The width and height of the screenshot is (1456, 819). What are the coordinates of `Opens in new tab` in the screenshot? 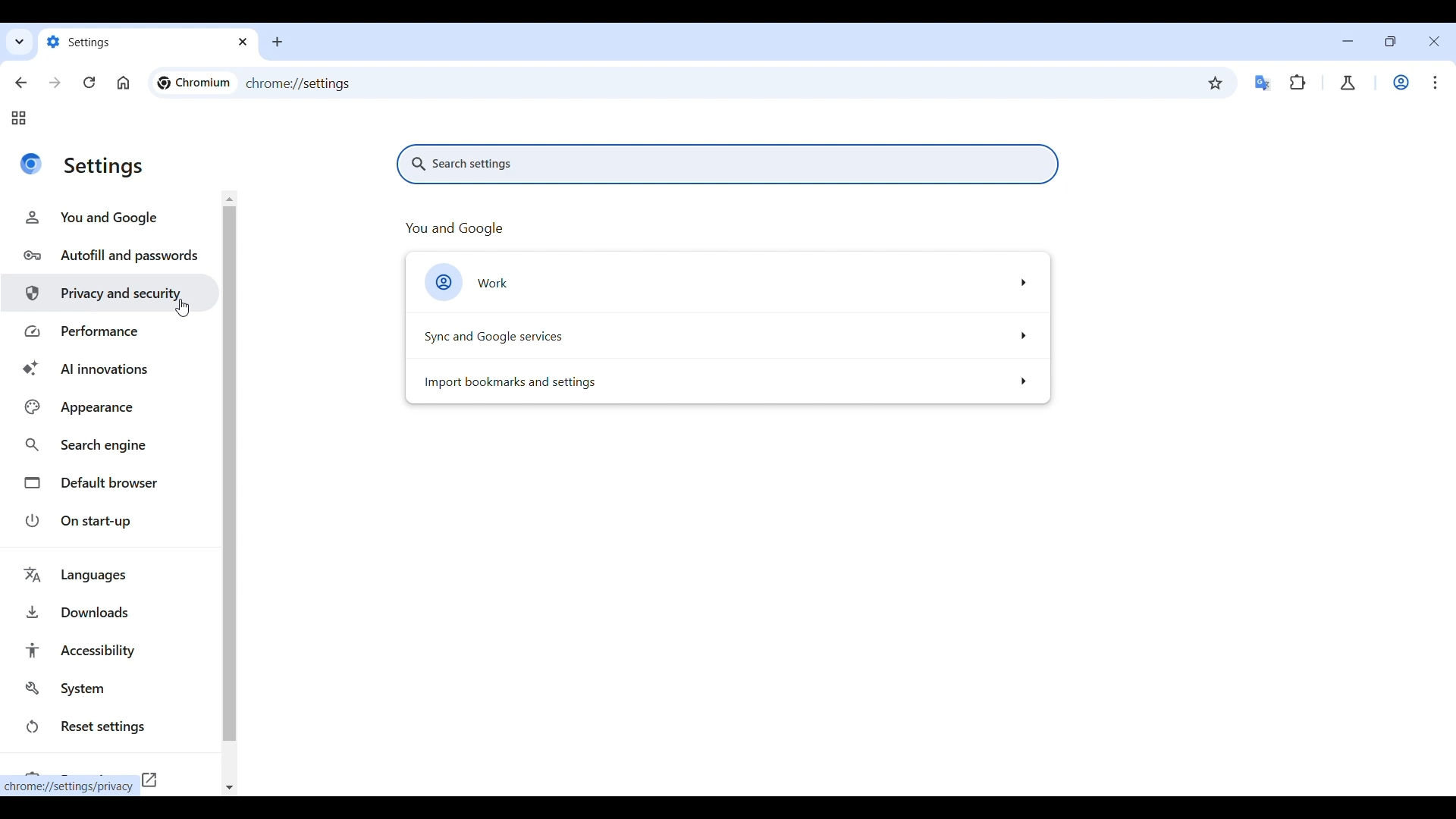 It's located at (161, 776).